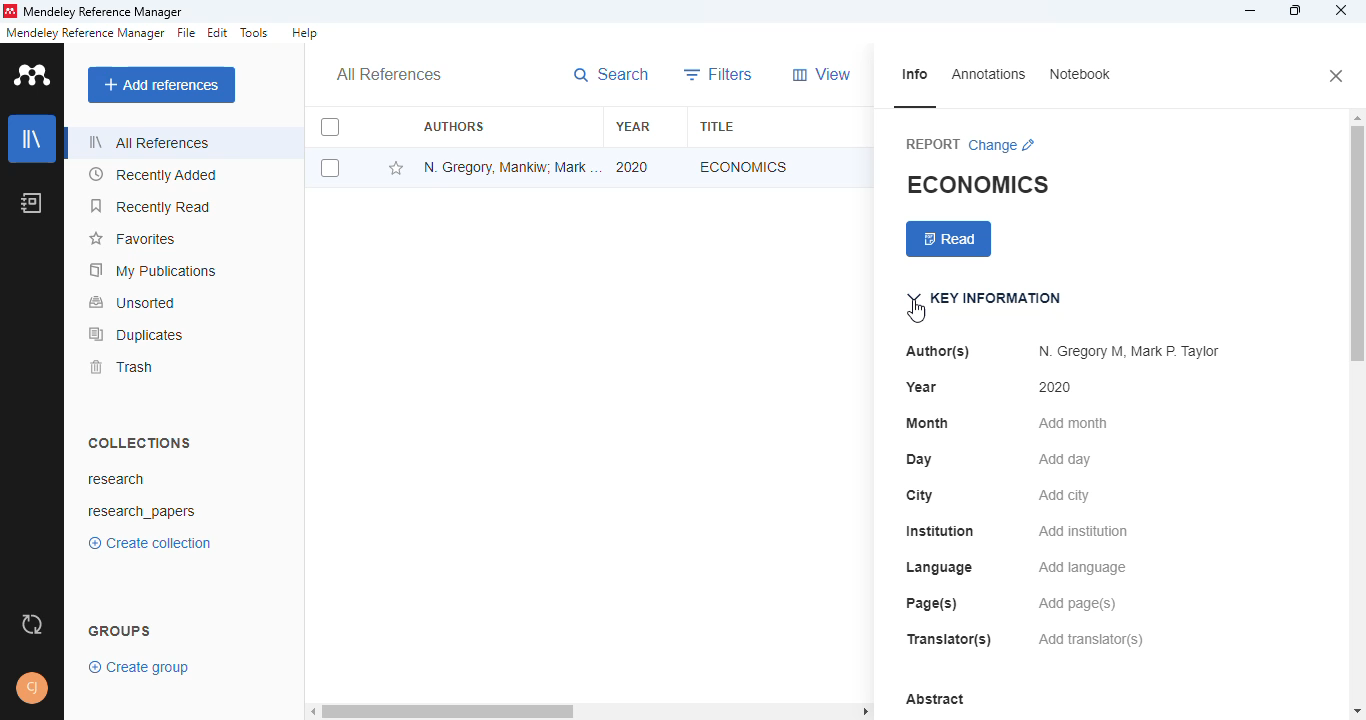 The width and height of the screenshot is (1366, 720). Describe the element at coordinates (219, 32) in the screenshot. I see `edit` at that location.